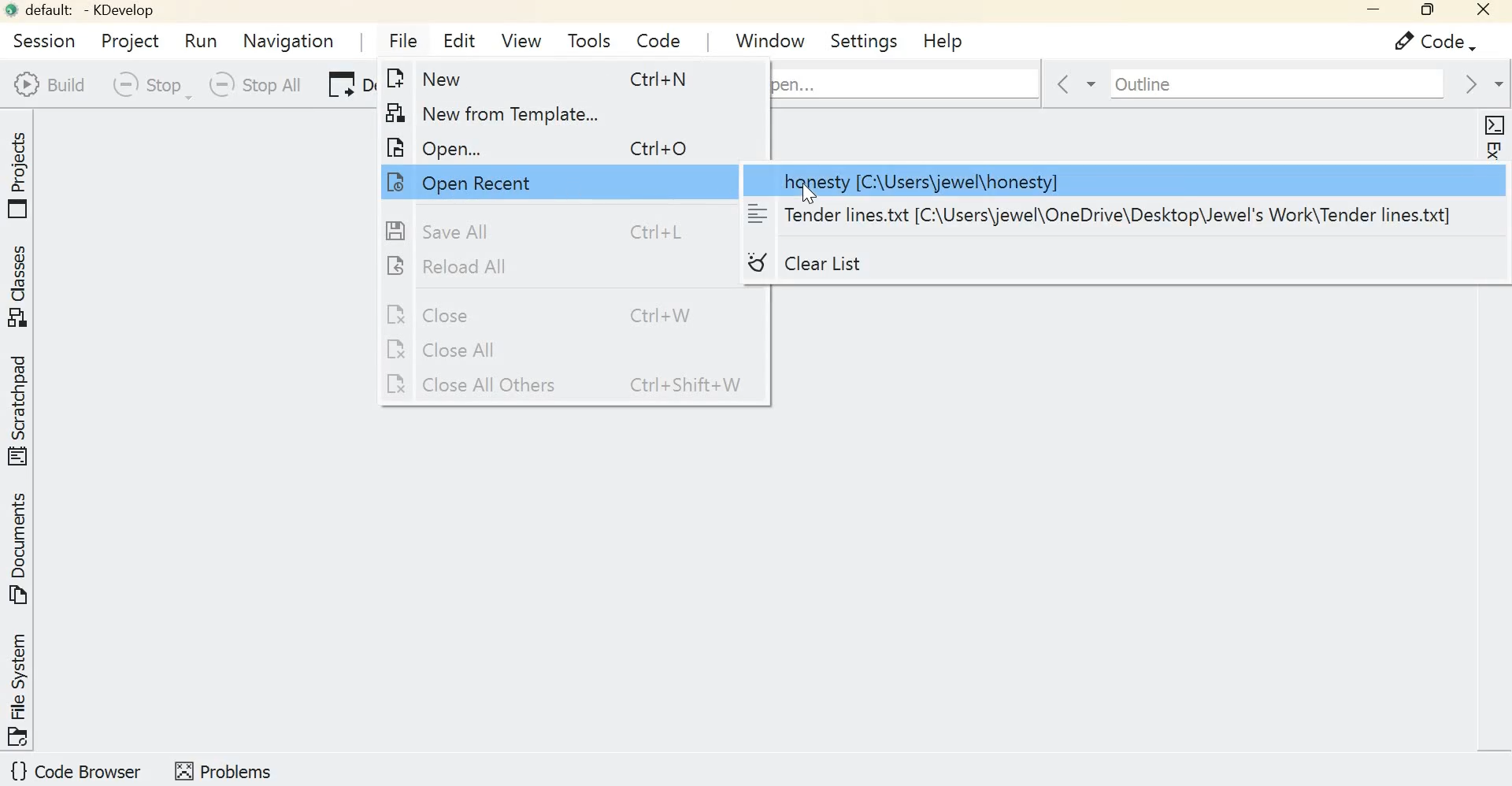  I want to click on Build Selection, so click(49, 84).